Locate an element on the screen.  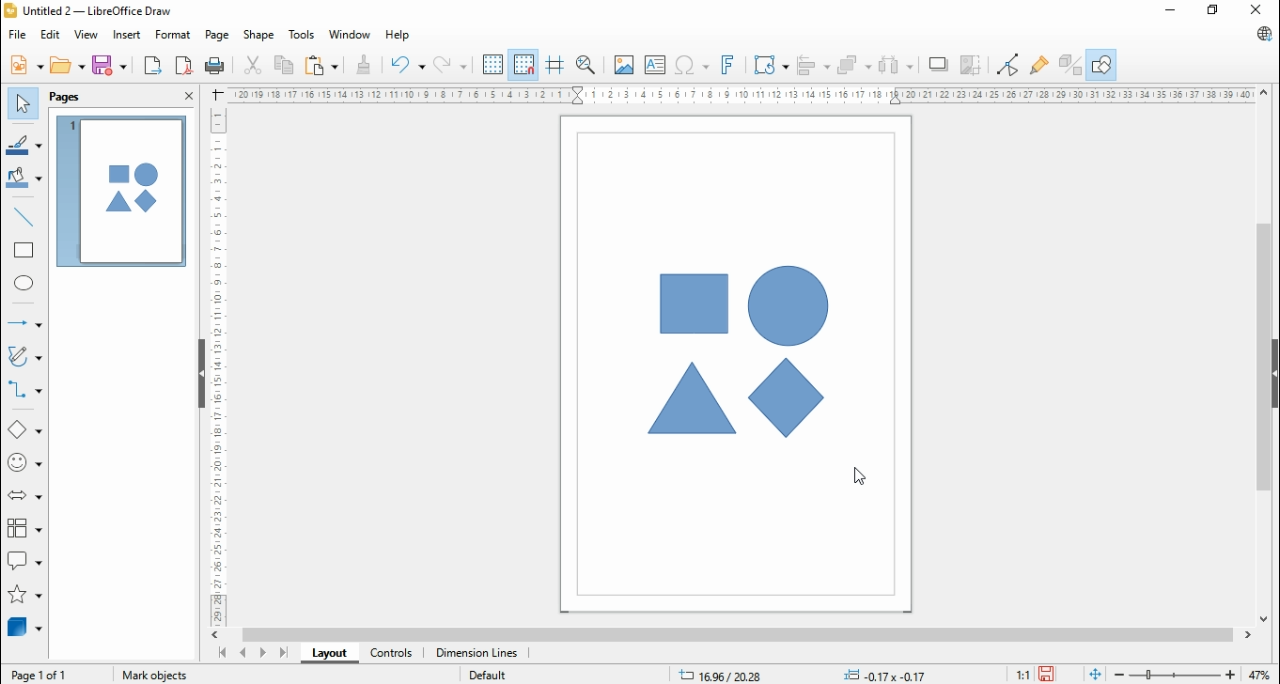
scroll bar is located at coordinates (736, 635).